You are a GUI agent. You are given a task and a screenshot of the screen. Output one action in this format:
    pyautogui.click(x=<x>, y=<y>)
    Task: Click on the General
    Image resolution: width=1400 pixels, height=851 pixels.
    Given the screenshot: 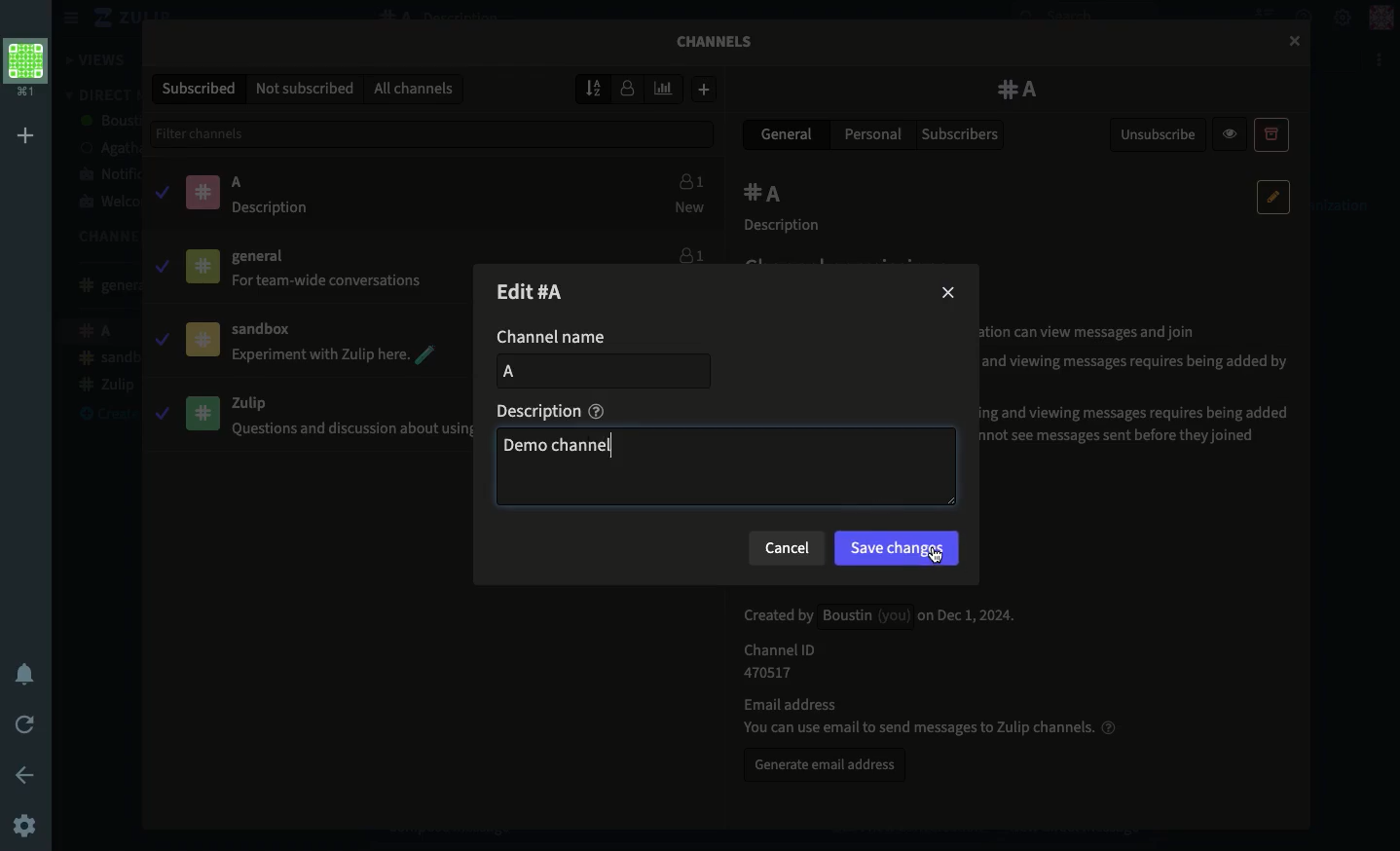 What is the action you would take?
    pyautogui.click(x=790, y=133)
    